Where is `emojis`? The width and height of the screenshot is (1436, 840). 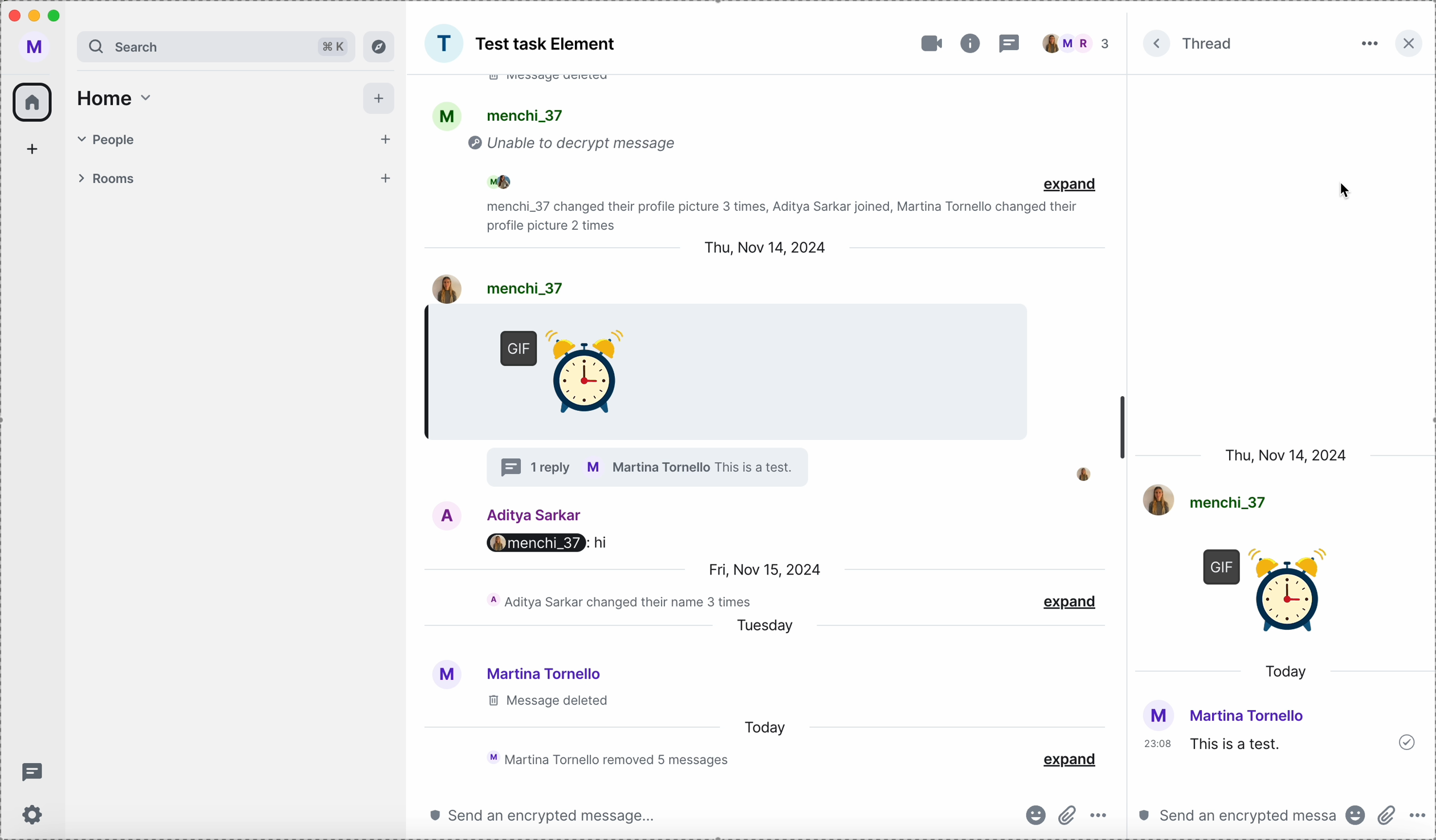 emojis is located at coordinates (1356, 818).